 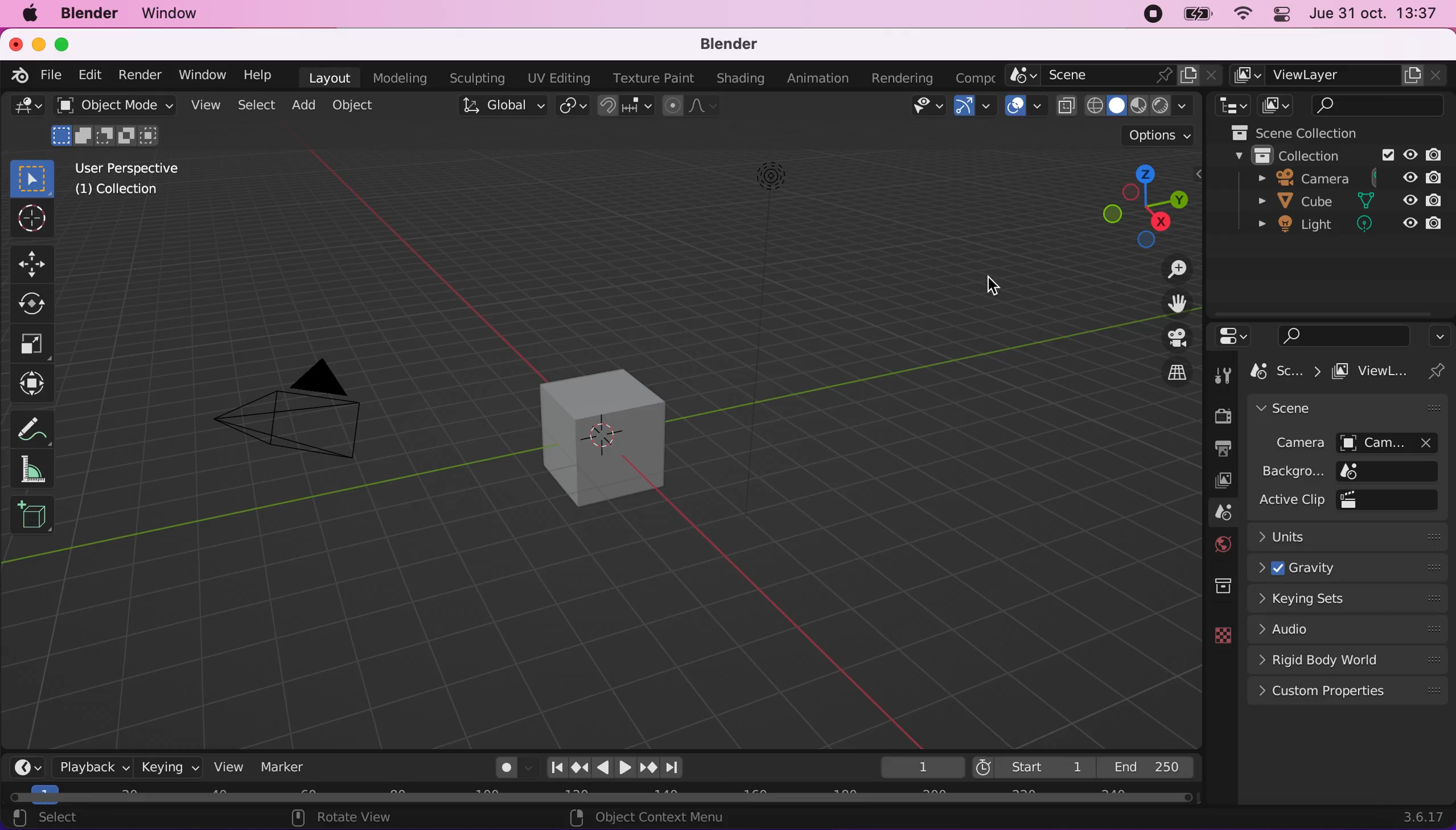 What do you see at coordinates (626, 107) in the screenshot?
I see `snapping` at bounding box center [626, 107].